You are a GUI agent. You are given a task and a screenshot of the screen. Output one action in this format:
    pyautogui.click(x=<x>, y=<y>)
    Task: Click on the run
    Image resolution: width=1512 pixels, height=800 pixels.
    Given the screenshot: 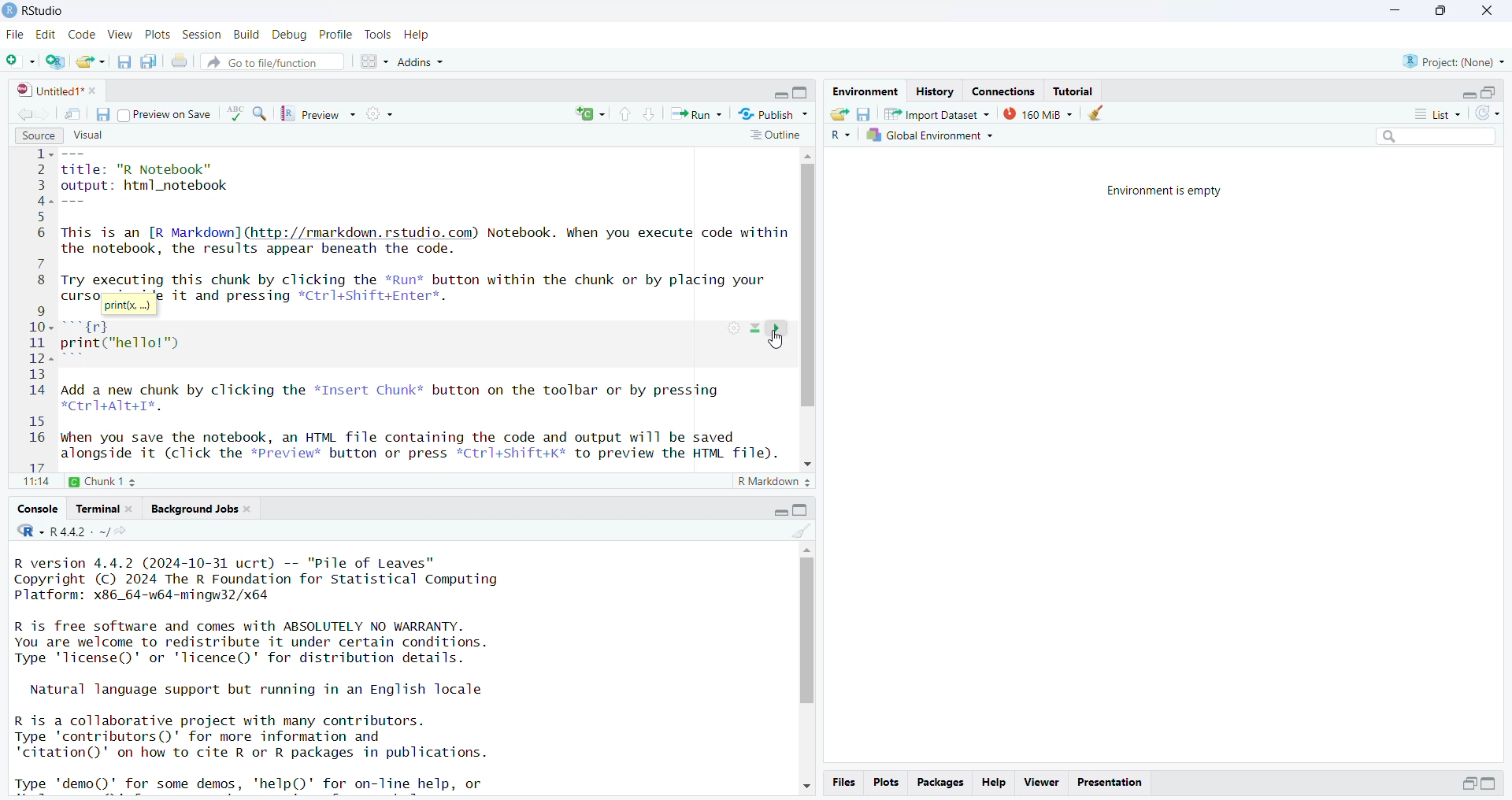 What is the action you would take?
    pyautogui.click(x=697, y=114)
    